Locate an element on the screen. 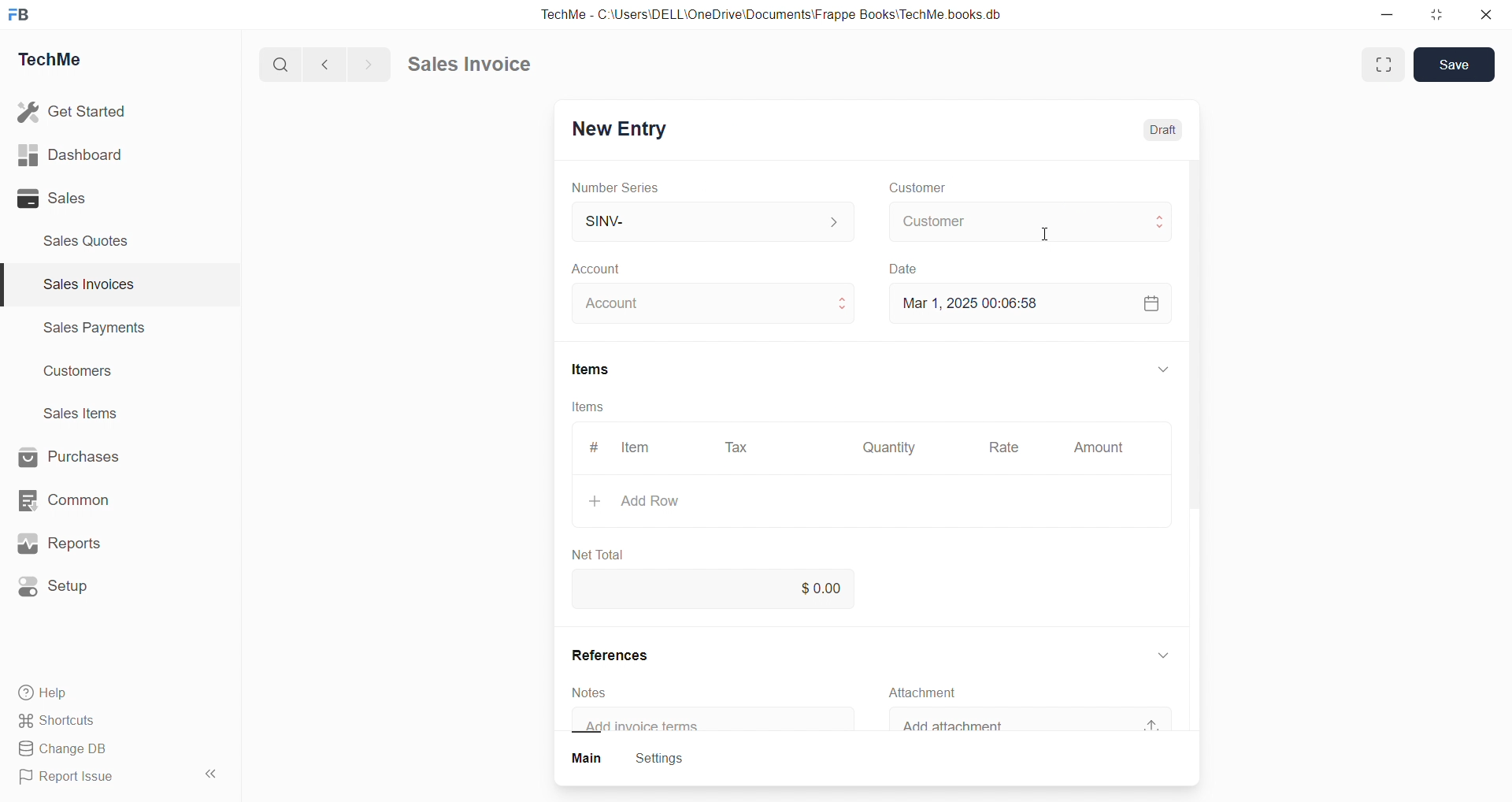  Items is located at coordinates (602, 369).